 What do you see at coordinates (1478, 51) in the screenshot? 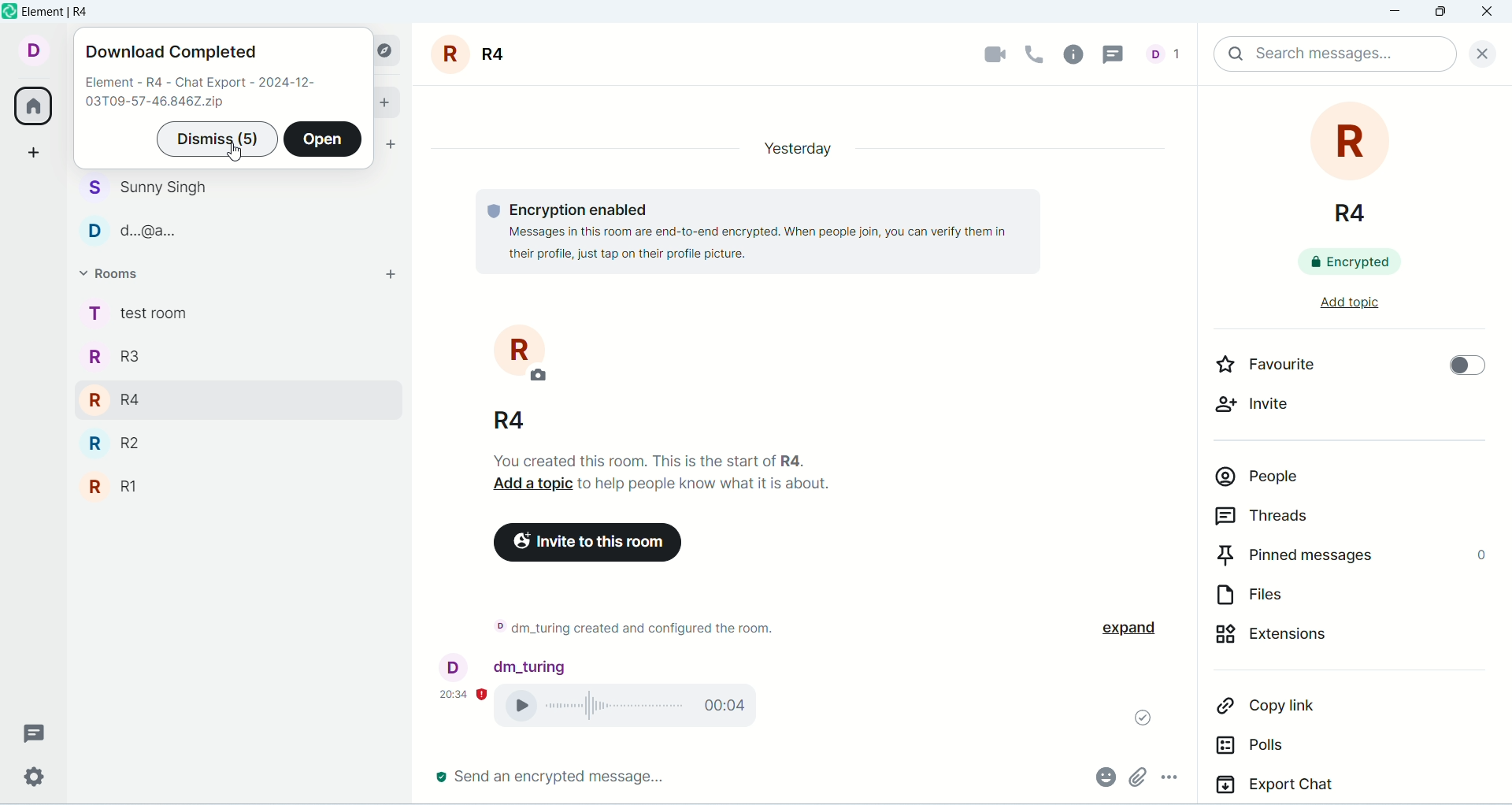
I see `close` at bounding box center [1478, 51].